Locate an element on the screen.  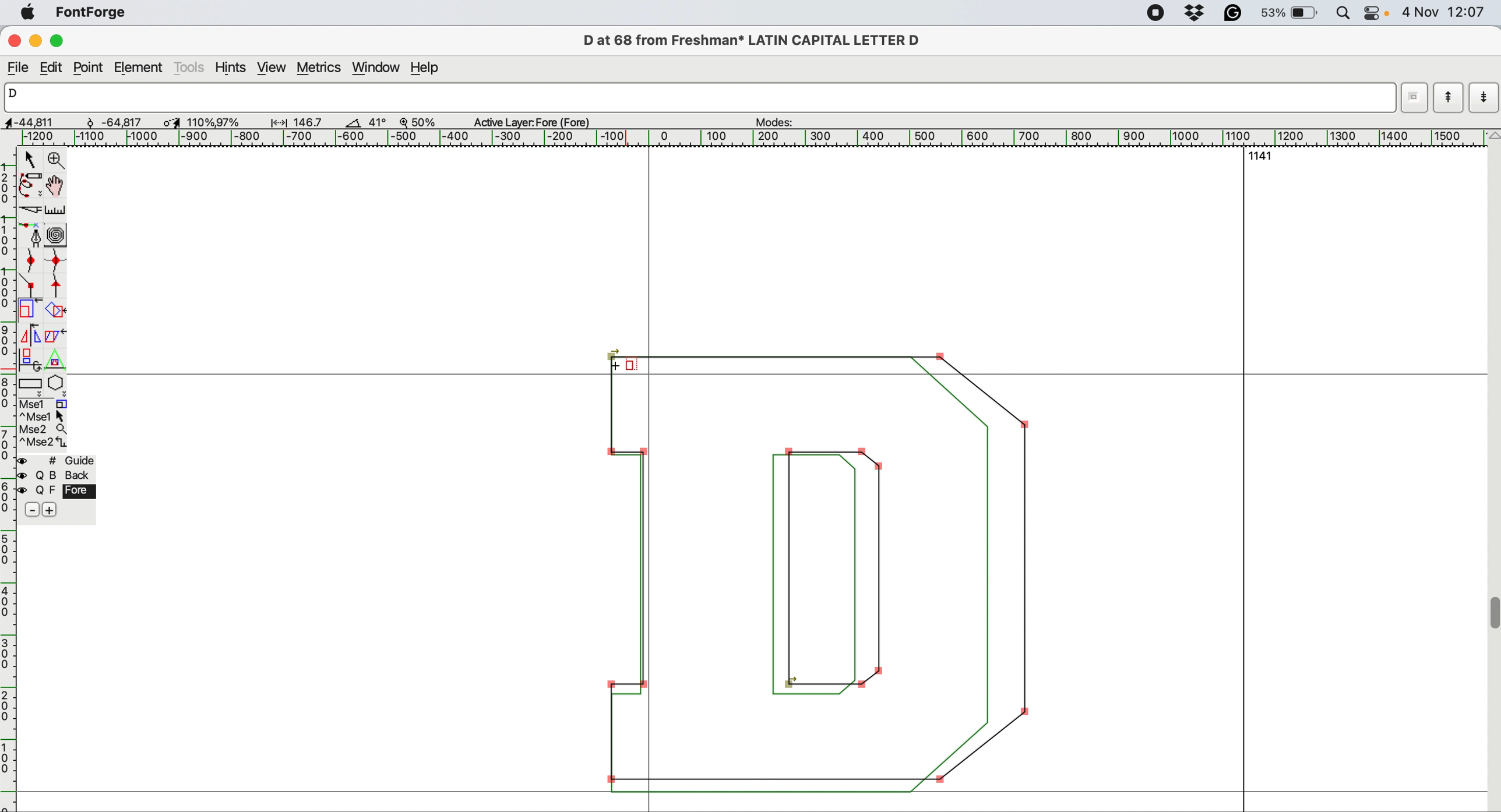
Msel 1 is located at coordinates (50, 403).